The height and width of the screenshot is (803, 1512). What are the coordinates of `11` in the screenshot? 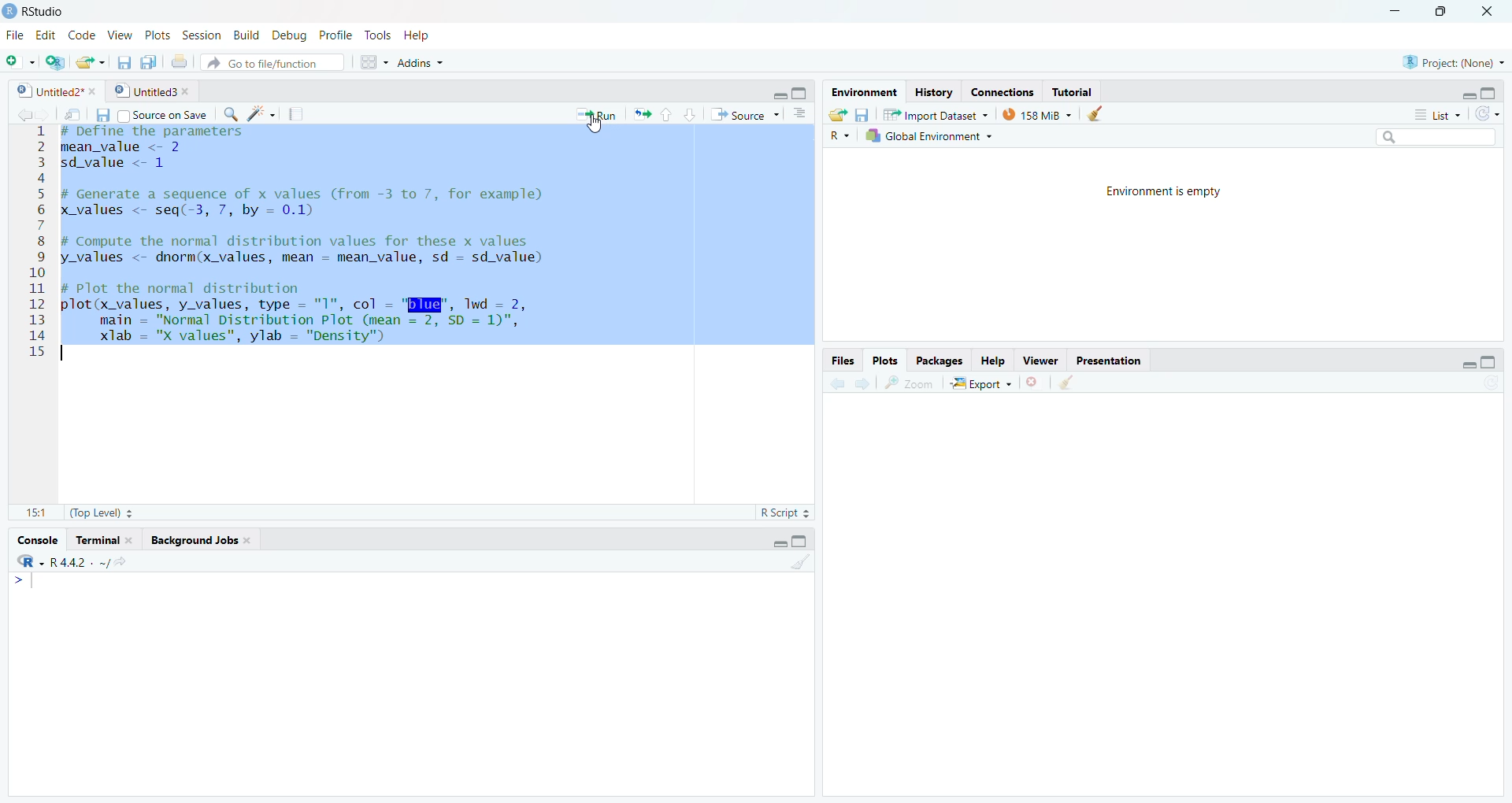 It's located at (30, 509).